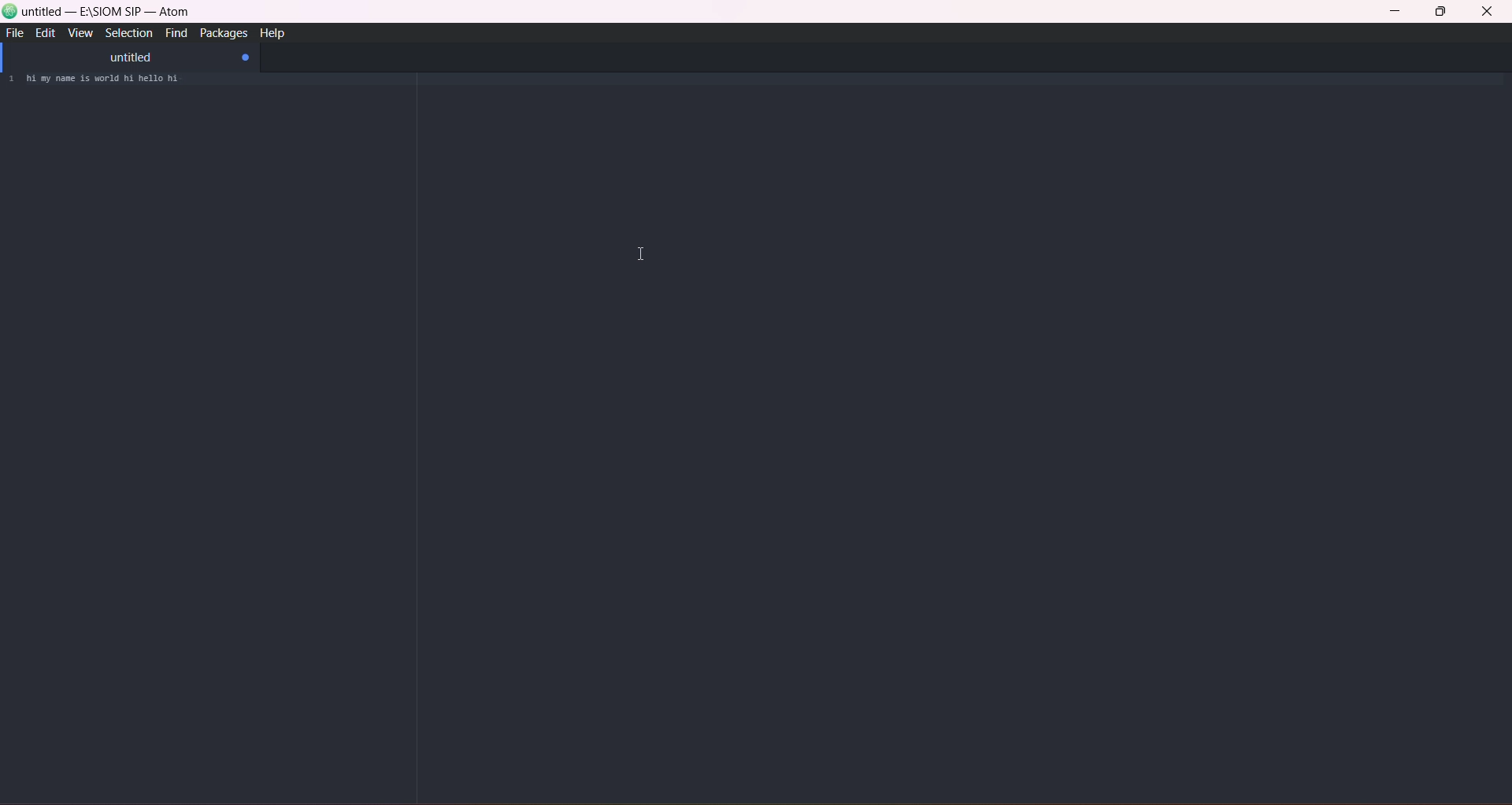 The height and width of the screenshot is (805, 1512). What do you see at coordinates (274, 32) in the screenshot?
I see `help` at bounding box center [274, 32].